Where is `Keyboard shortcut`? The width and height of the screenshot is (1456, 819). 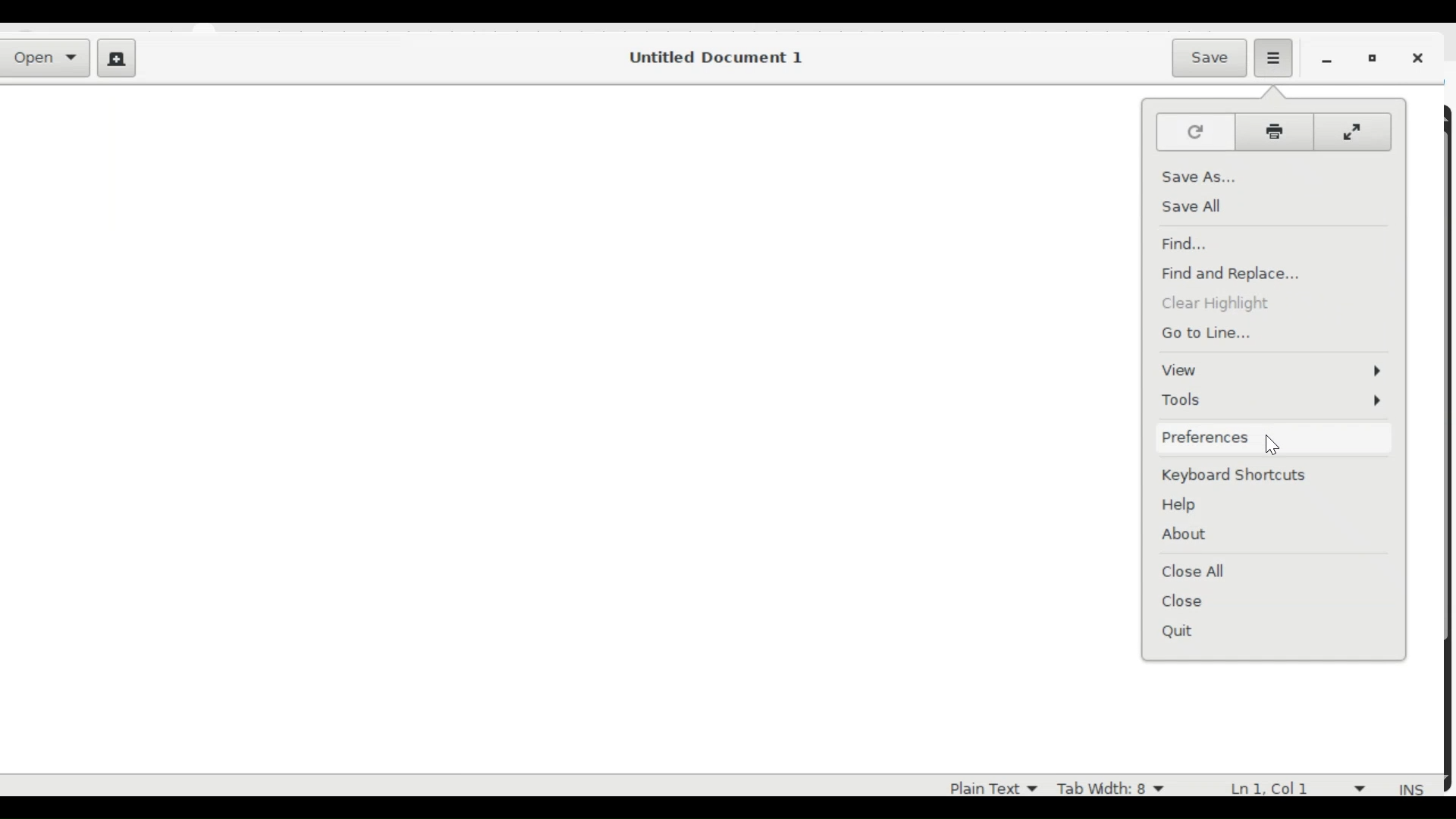
Keyboard shortcut is located at coordinates (1230, 479).